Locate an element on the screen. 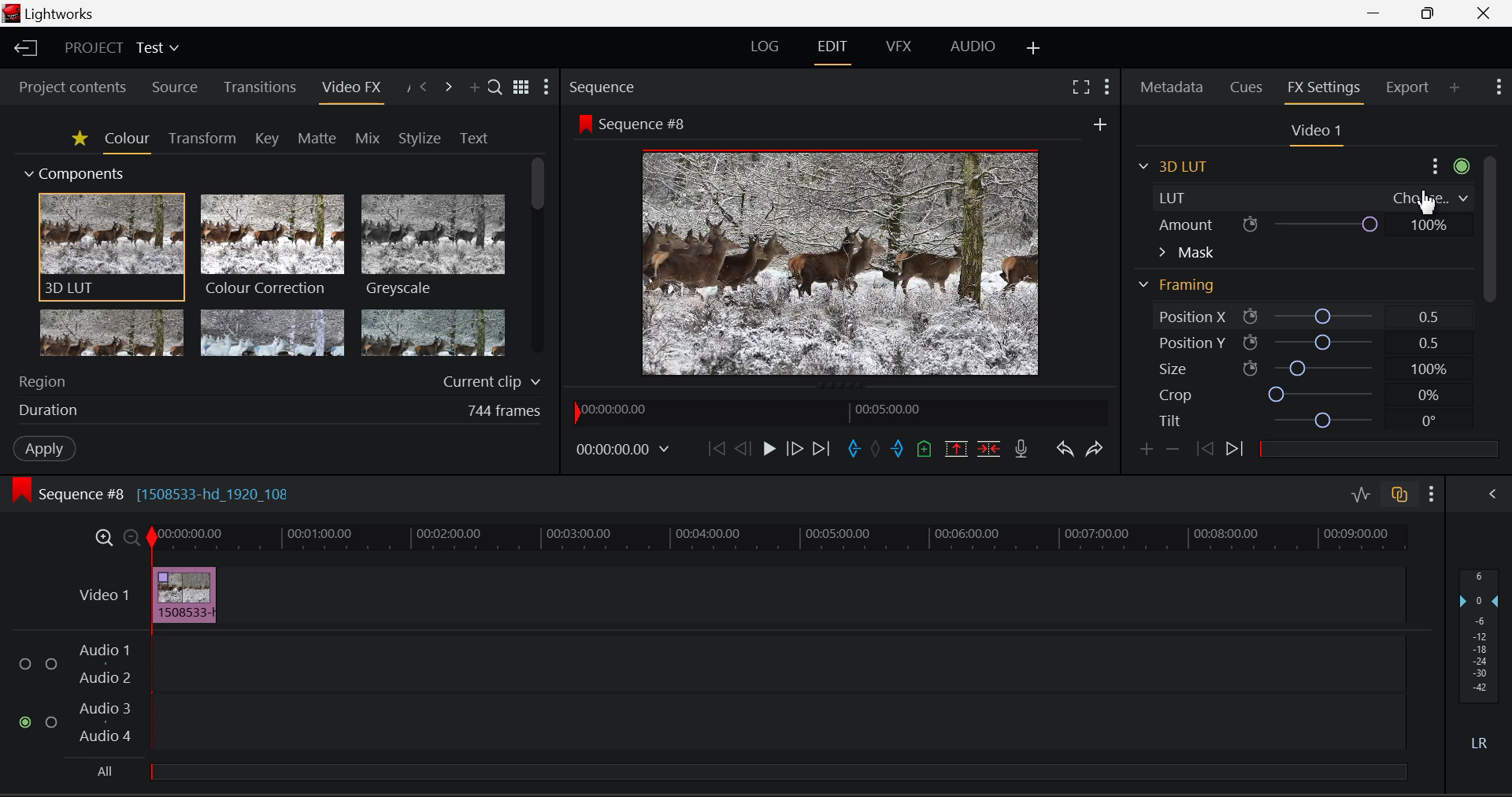  Effect duration is located at coordinates (277, 410).